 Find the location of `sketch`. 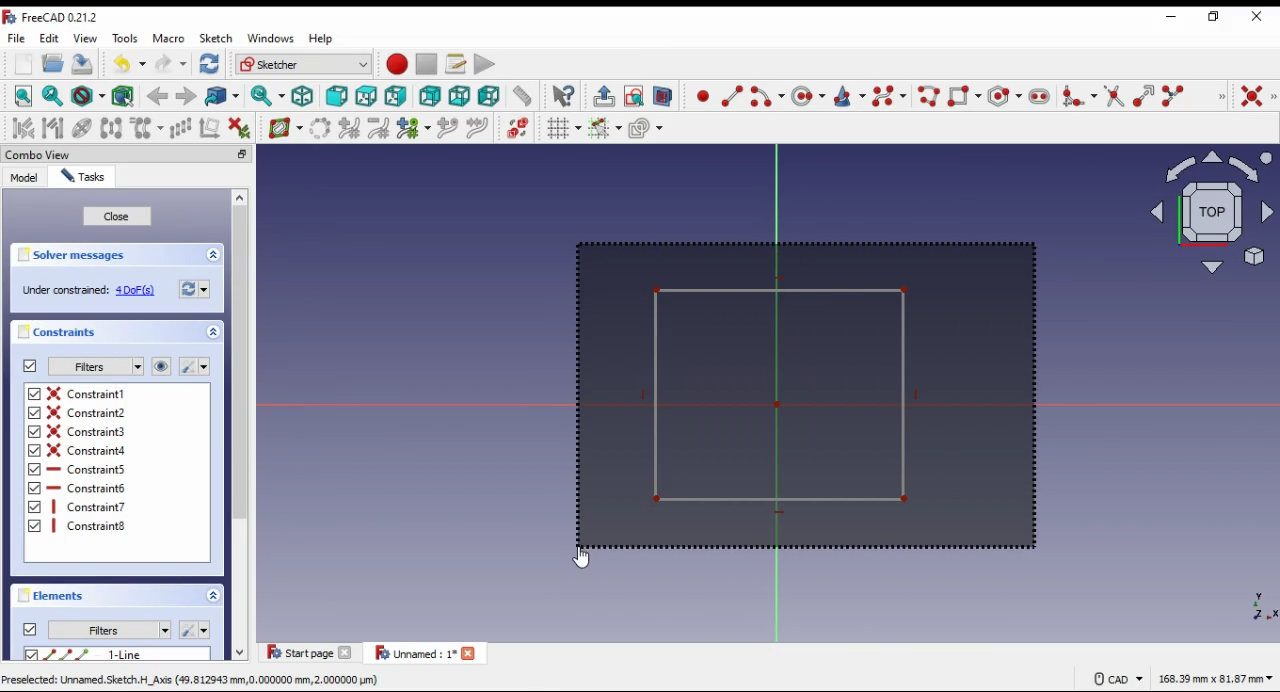

sketch is located at coordinates (217, 39).